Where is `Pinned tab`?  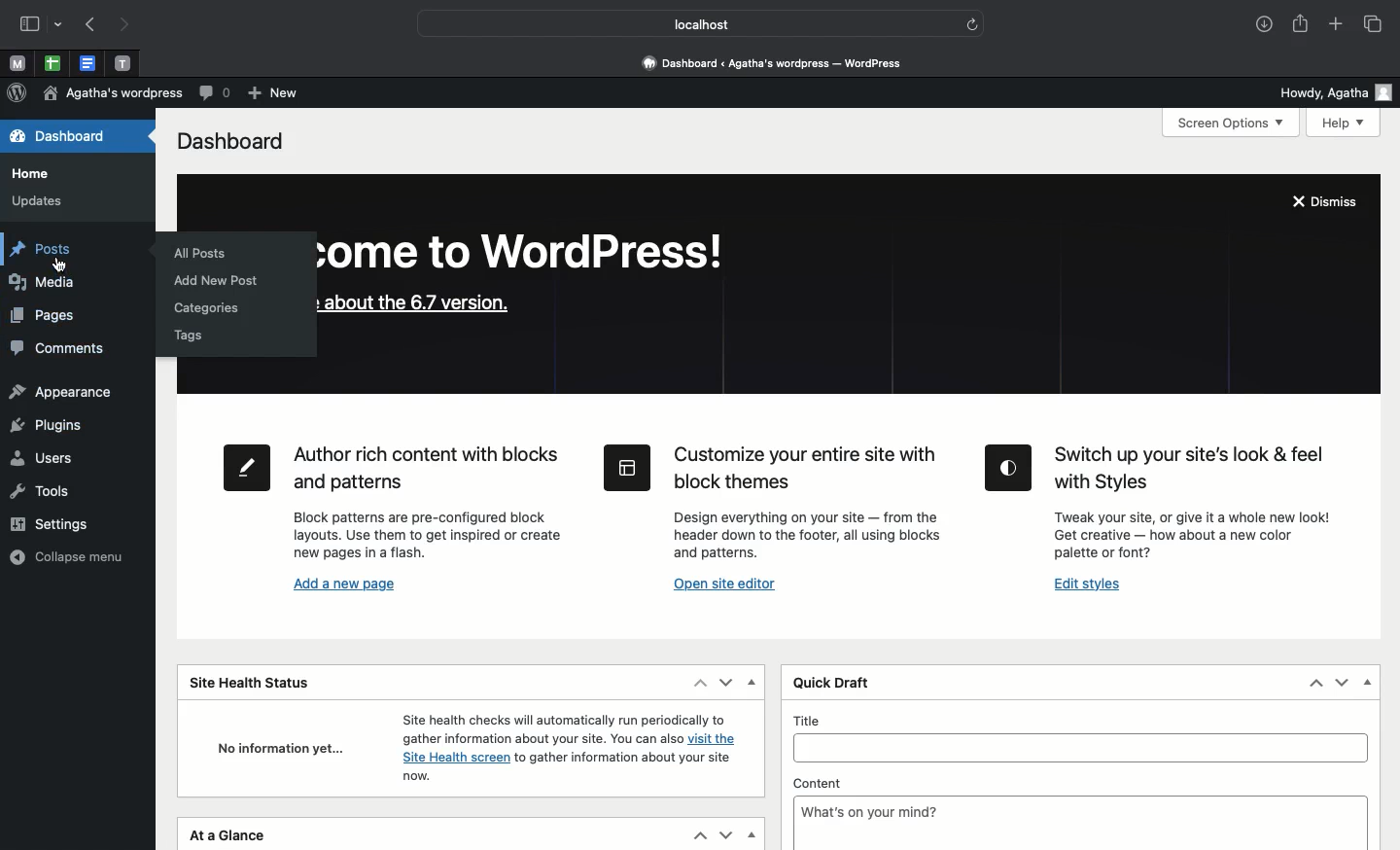 Pinned tab is located at coordinates (17, 65).